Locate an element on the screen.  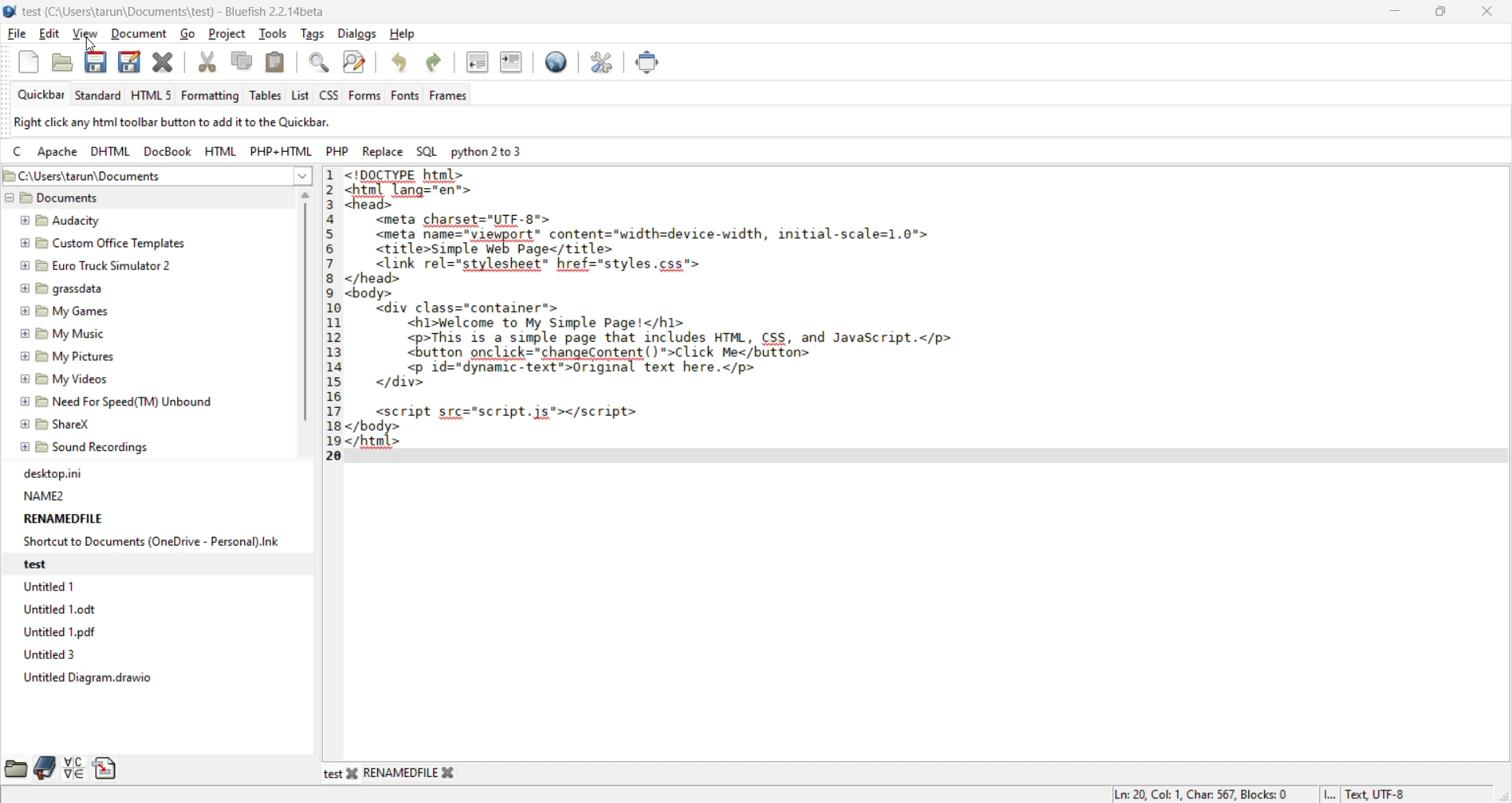
close is located at coordinates (1484, 12).